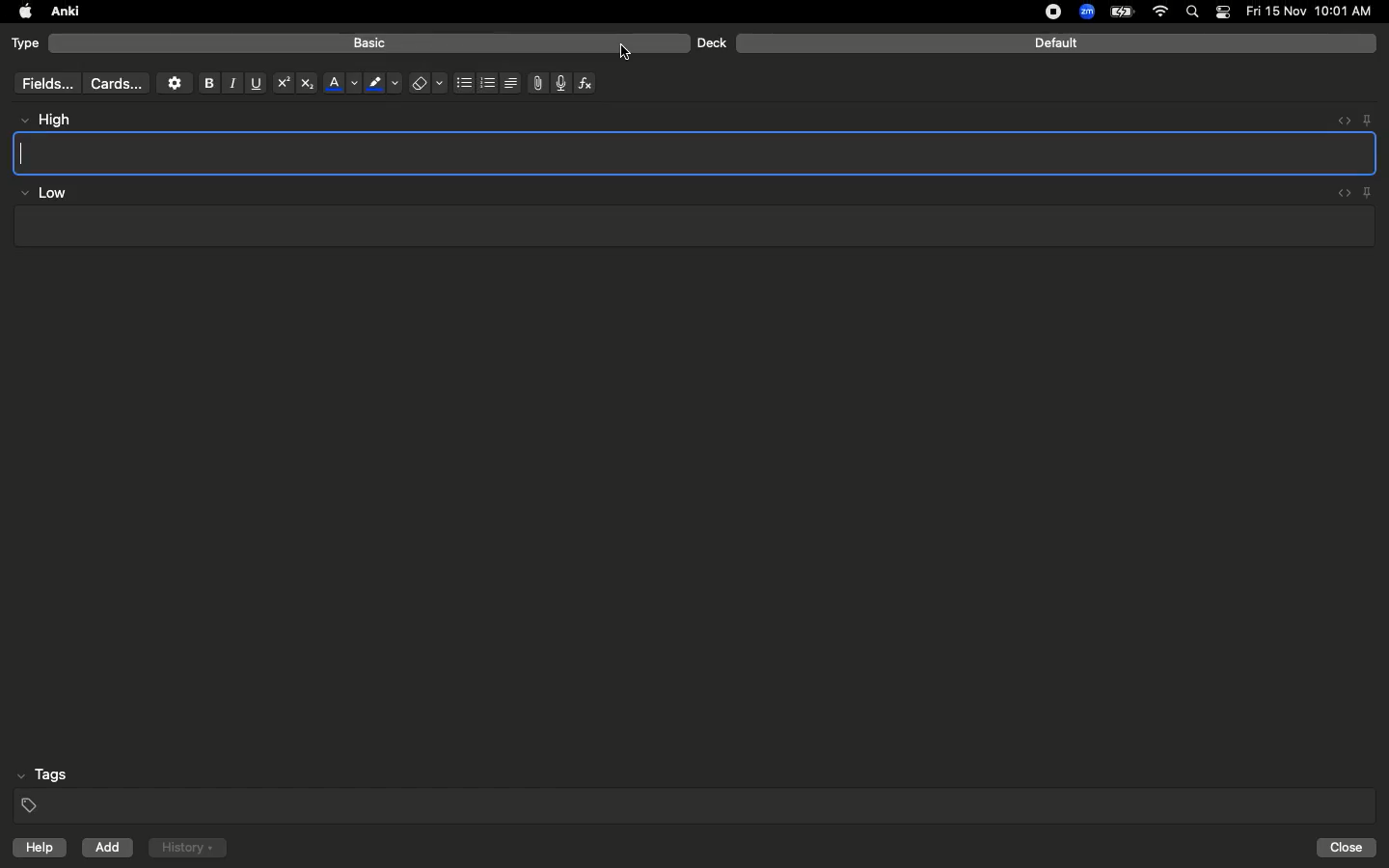 This screenshot has height=868, width=1389. Describe the element at coordinates (534, 83) in the screenshot. I see `File` at that location.